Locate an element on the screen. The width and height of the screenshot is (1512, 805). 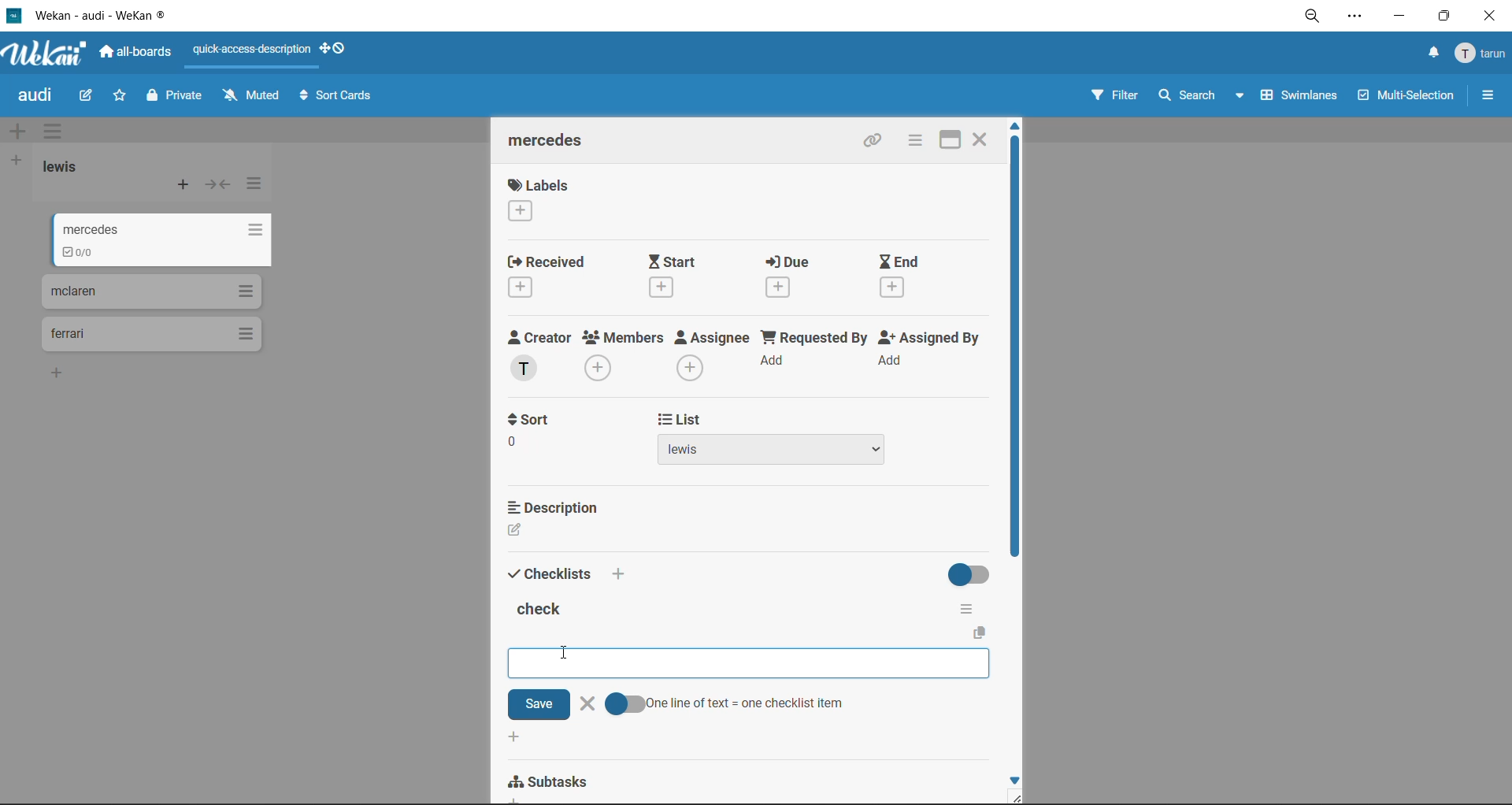
list actions is located at coordinates (254, 184).